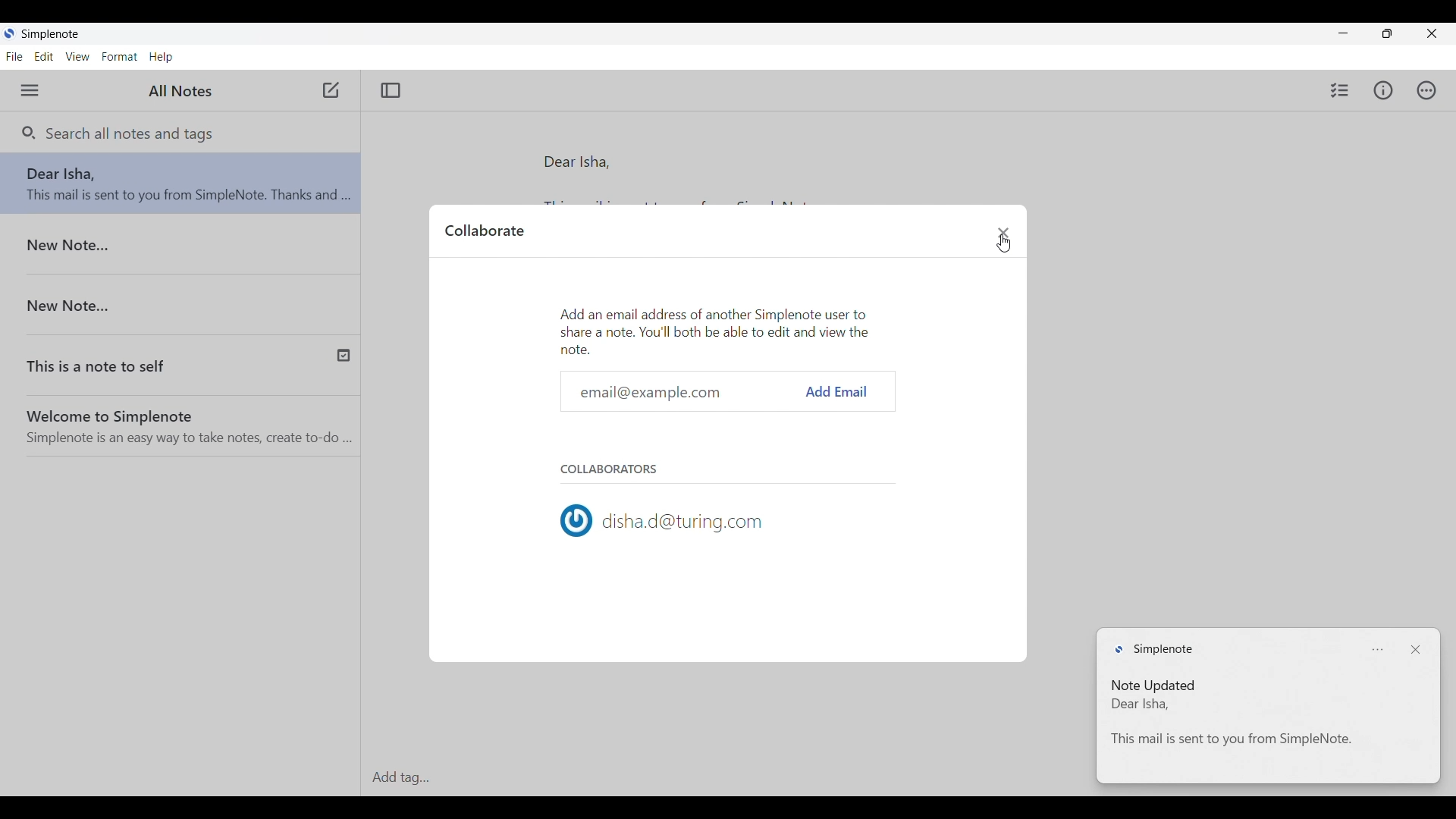 This screenshot has width=1456, height=819. What do you see at coordinates (1381, 649) in the screenshot?
I see `Notification settings` at bounding box center [1381, 649].